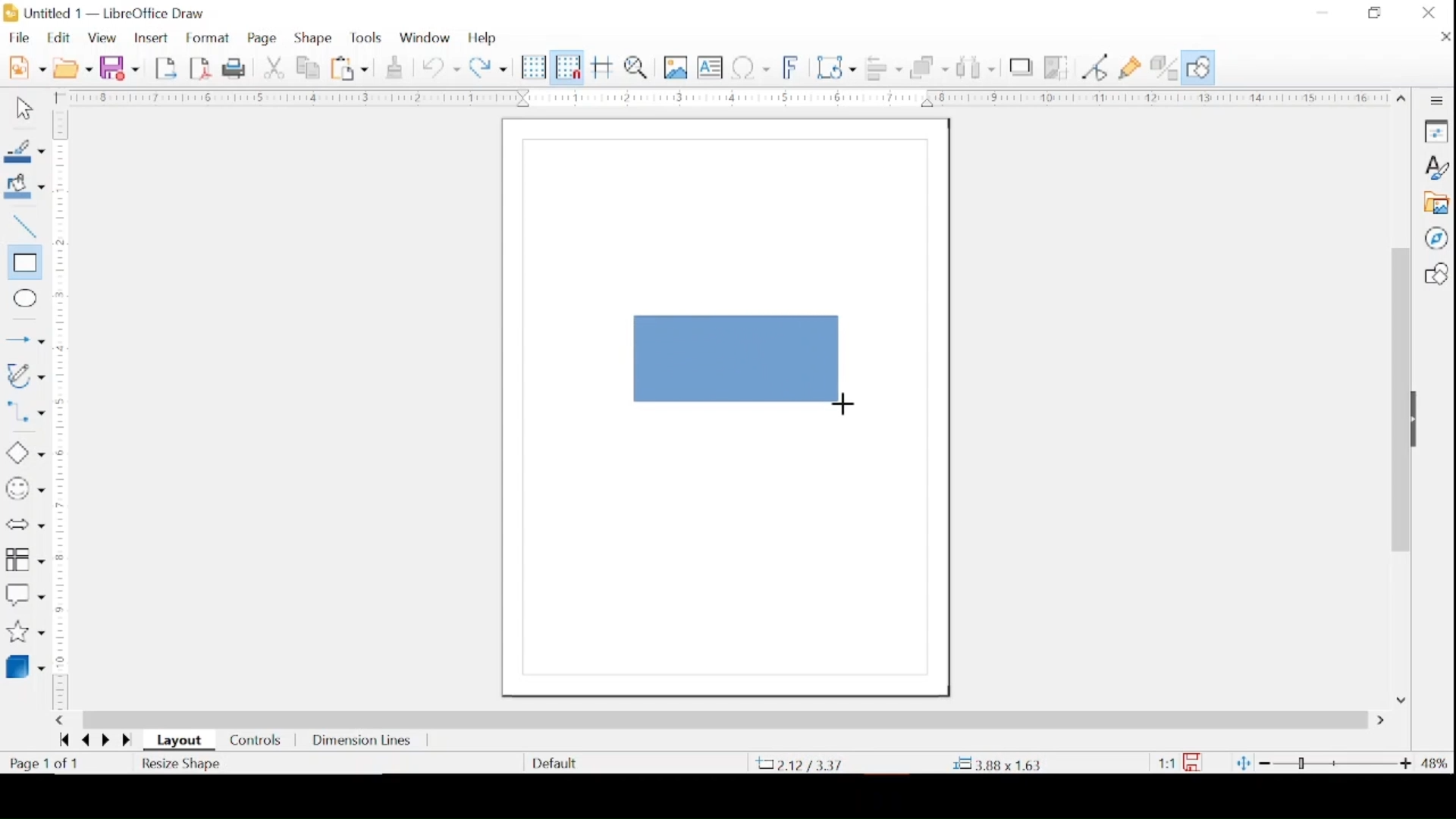 This screenshot has width=1456, height=819. Describe the element at coordinates (441, 68) in the screenshot. I see `undo` at that location.